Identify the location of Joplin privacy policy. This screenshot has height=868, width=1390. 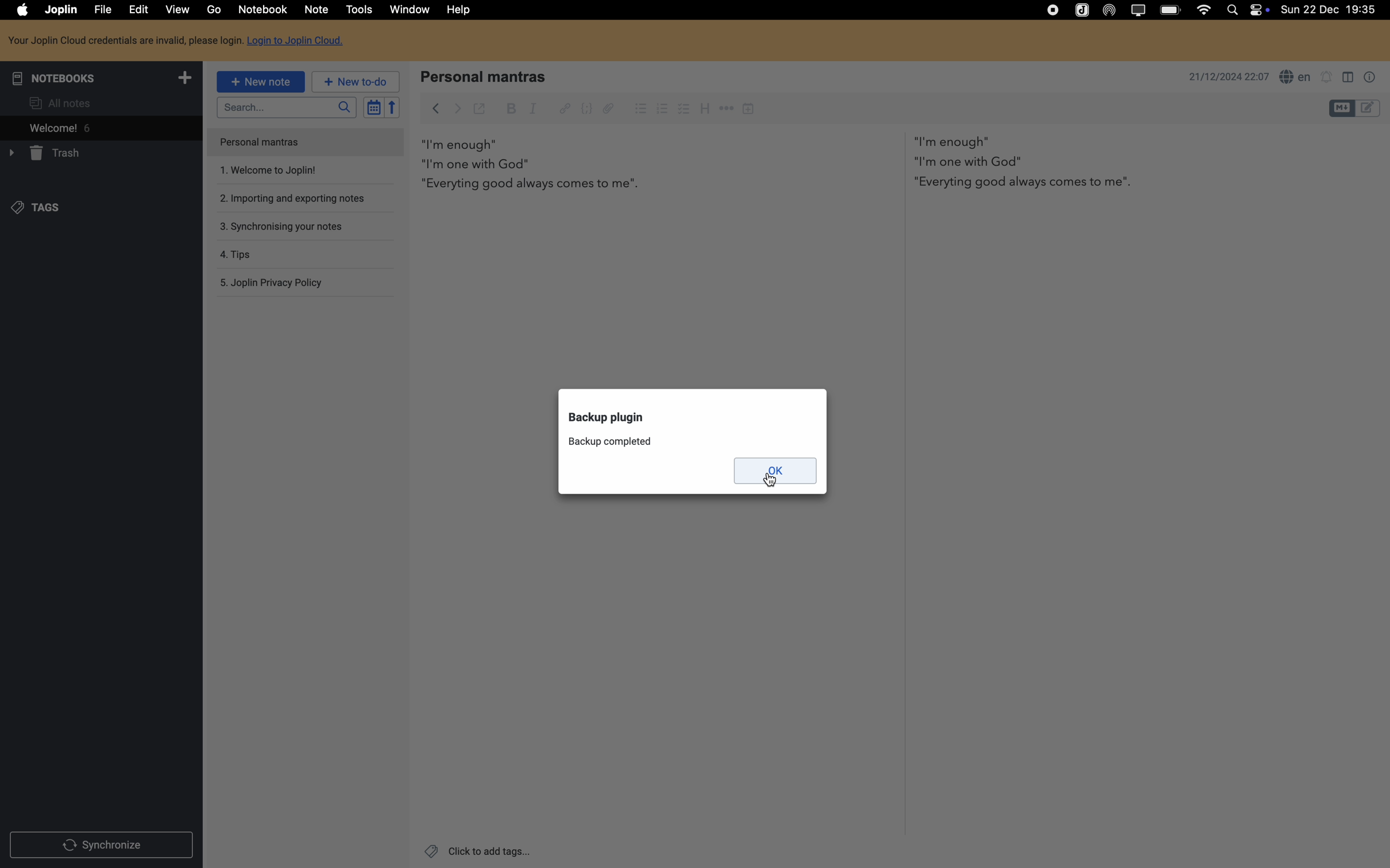
(273, 283).